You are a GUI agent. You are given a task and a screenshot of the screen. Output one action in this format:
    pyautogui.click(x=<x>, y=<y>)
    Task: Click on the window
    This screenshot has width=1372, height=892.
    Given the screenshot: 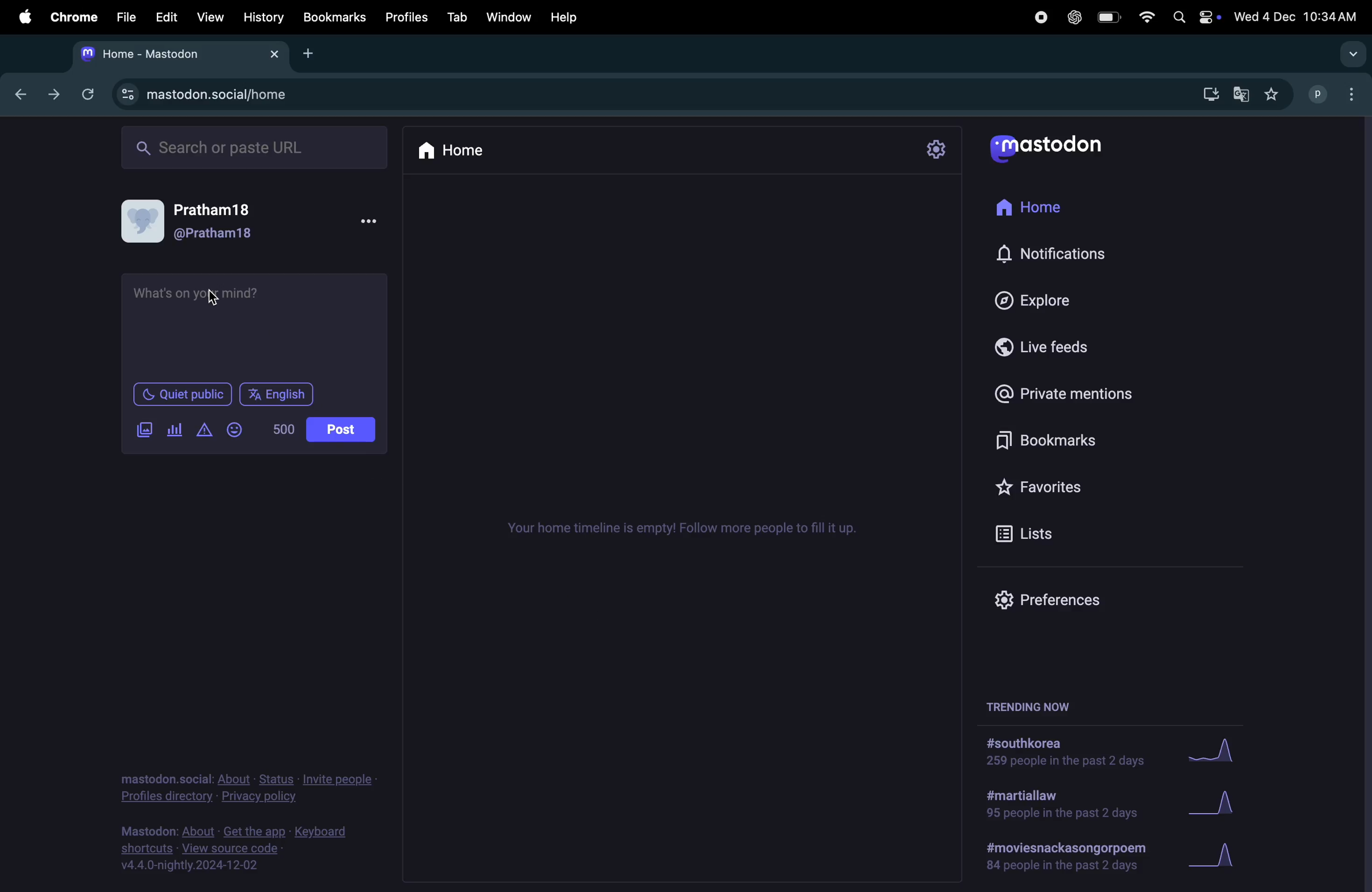 What is the action you would take?
    pyautogui.click(x=513, y=16)
    